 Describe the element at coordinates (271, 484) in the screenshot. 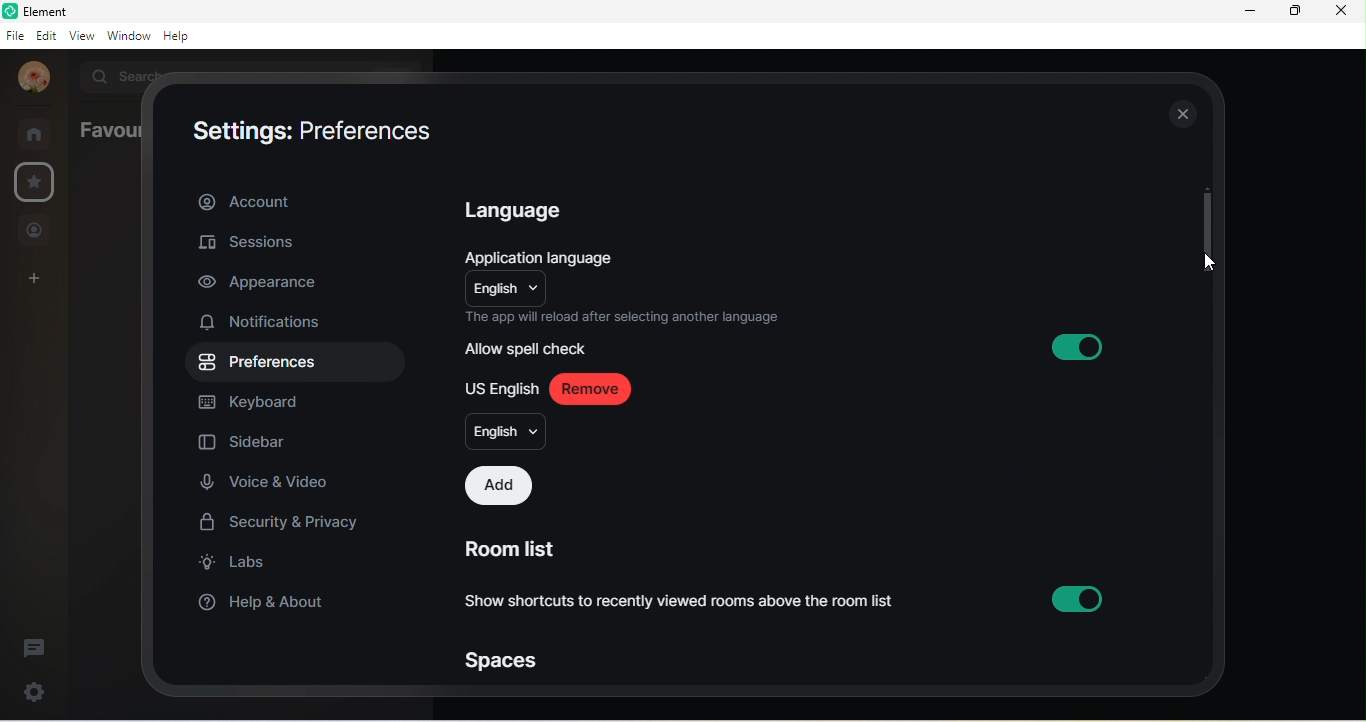

I see `voice and video` at that location.